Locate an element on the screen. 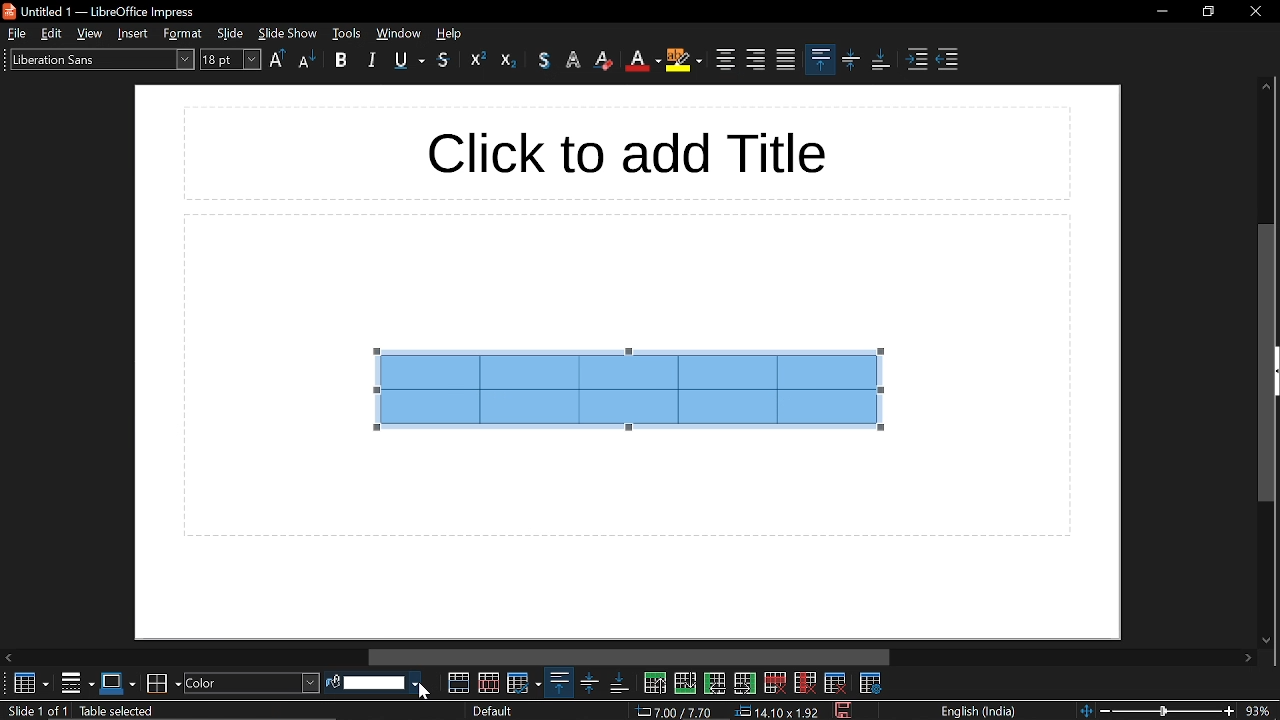 Image resolution: width=1280 pixels, height=720 pixels. borders is located at coordinates (78, 683).